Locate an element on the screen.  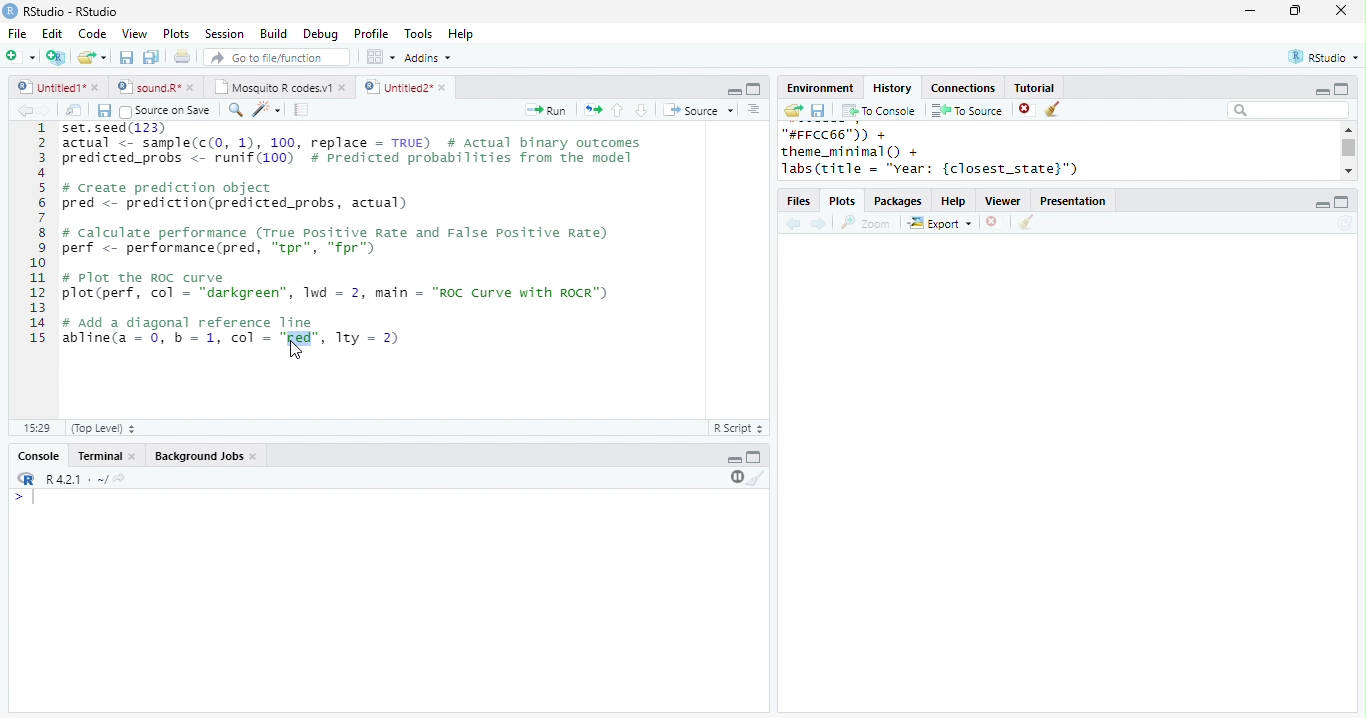
minimize is located at coordinates (1321, 92).